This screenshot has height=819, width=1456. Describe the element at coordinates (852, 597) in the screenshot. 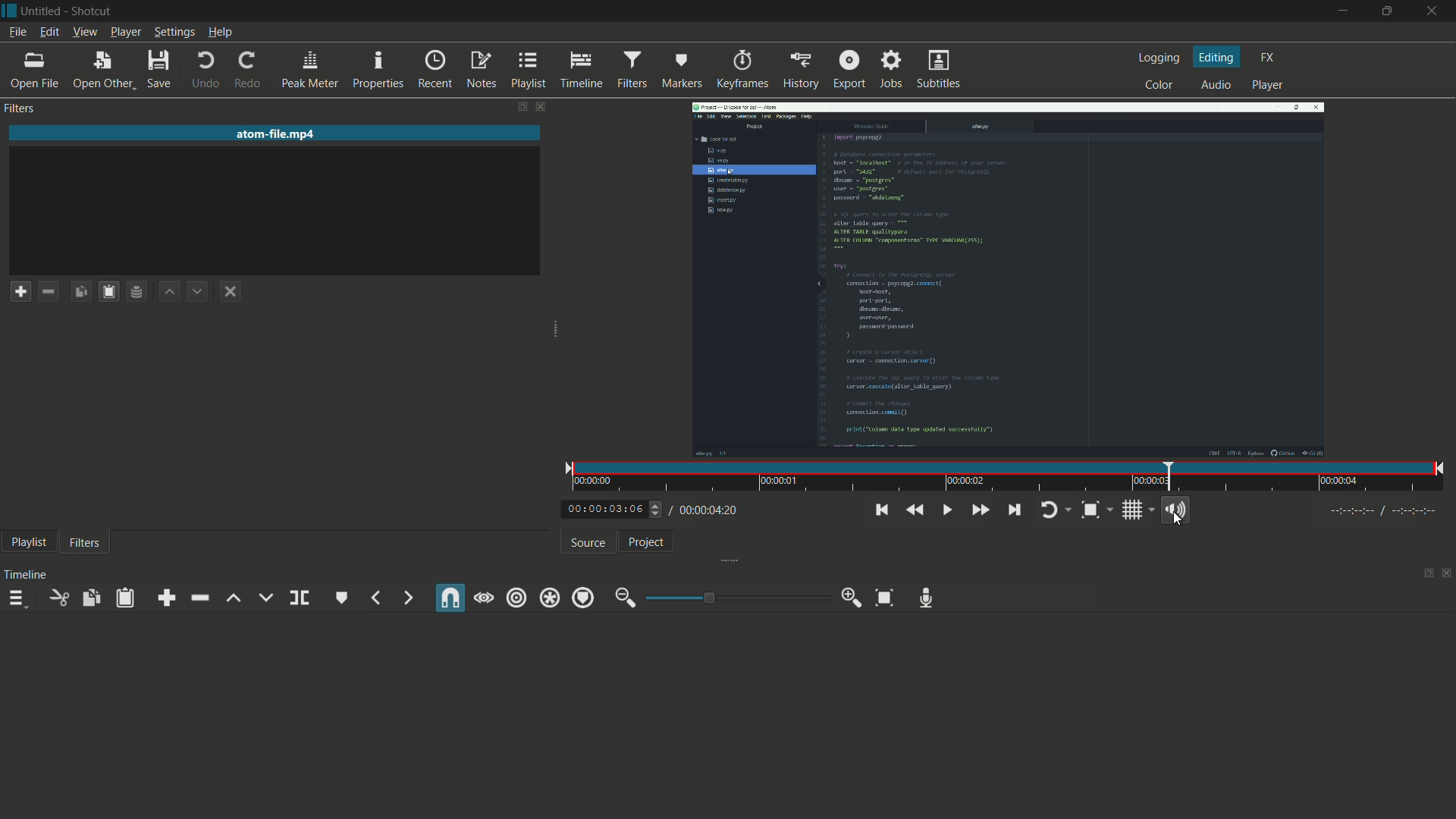

I see `zoom in` at that location.